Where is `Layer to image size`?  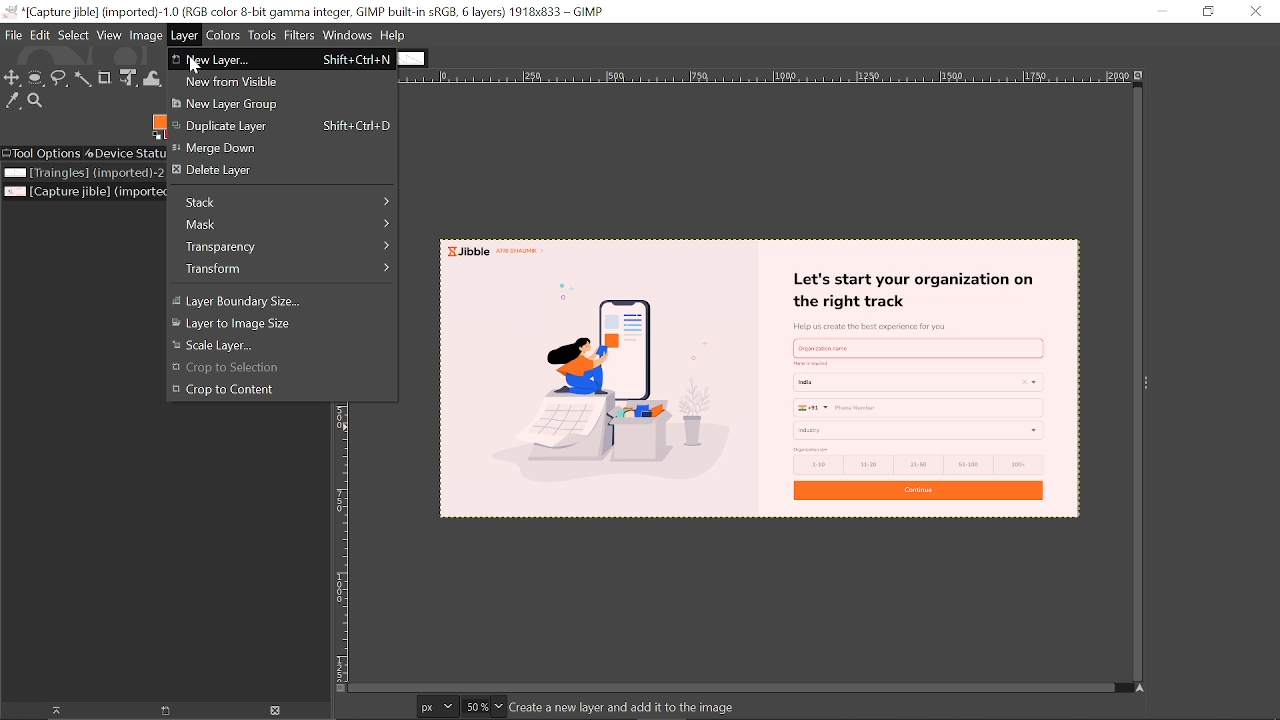 Layer to image size is located at coordinates (268, 322).